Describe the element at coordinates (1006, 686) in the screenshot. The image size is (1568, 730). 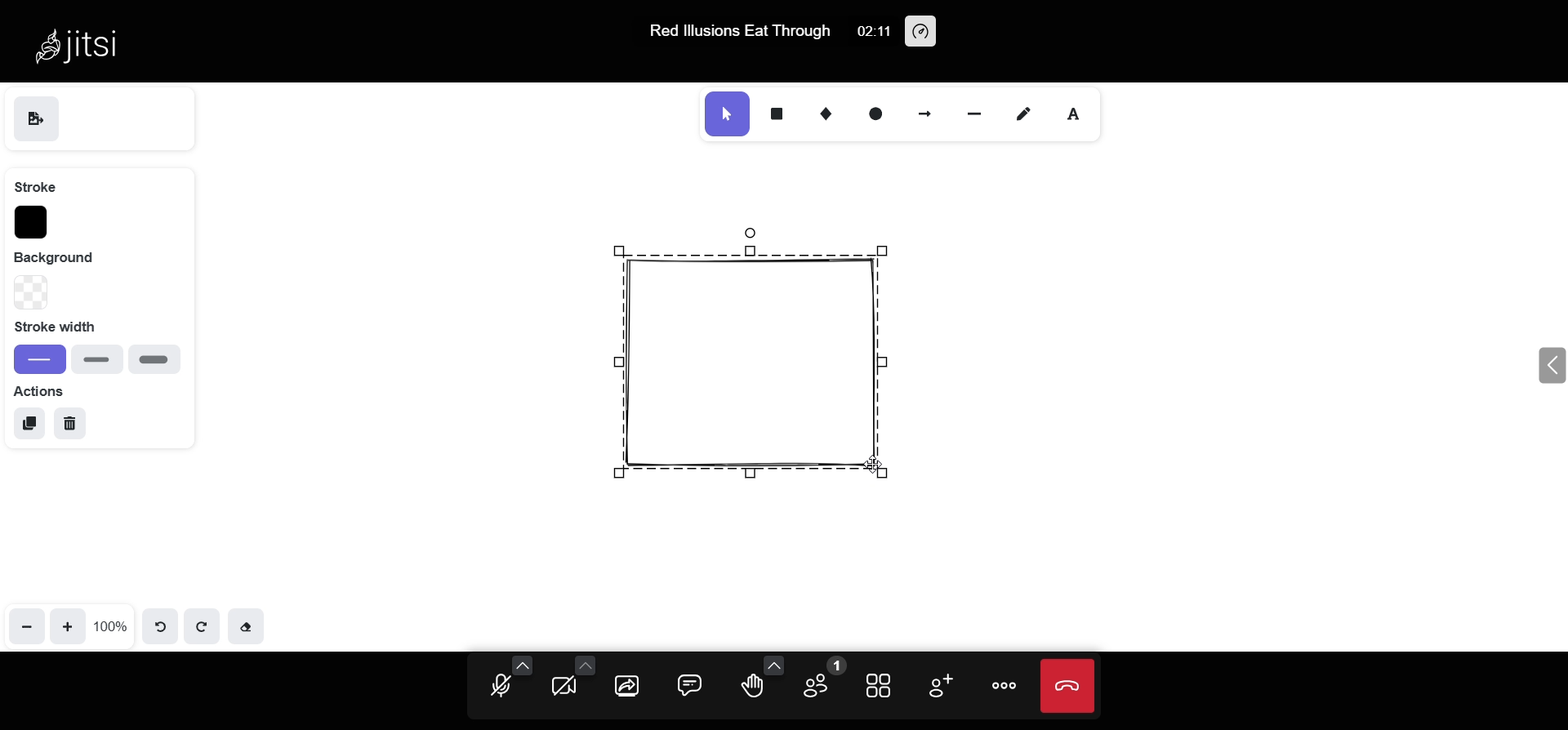
I see `more` at that location.